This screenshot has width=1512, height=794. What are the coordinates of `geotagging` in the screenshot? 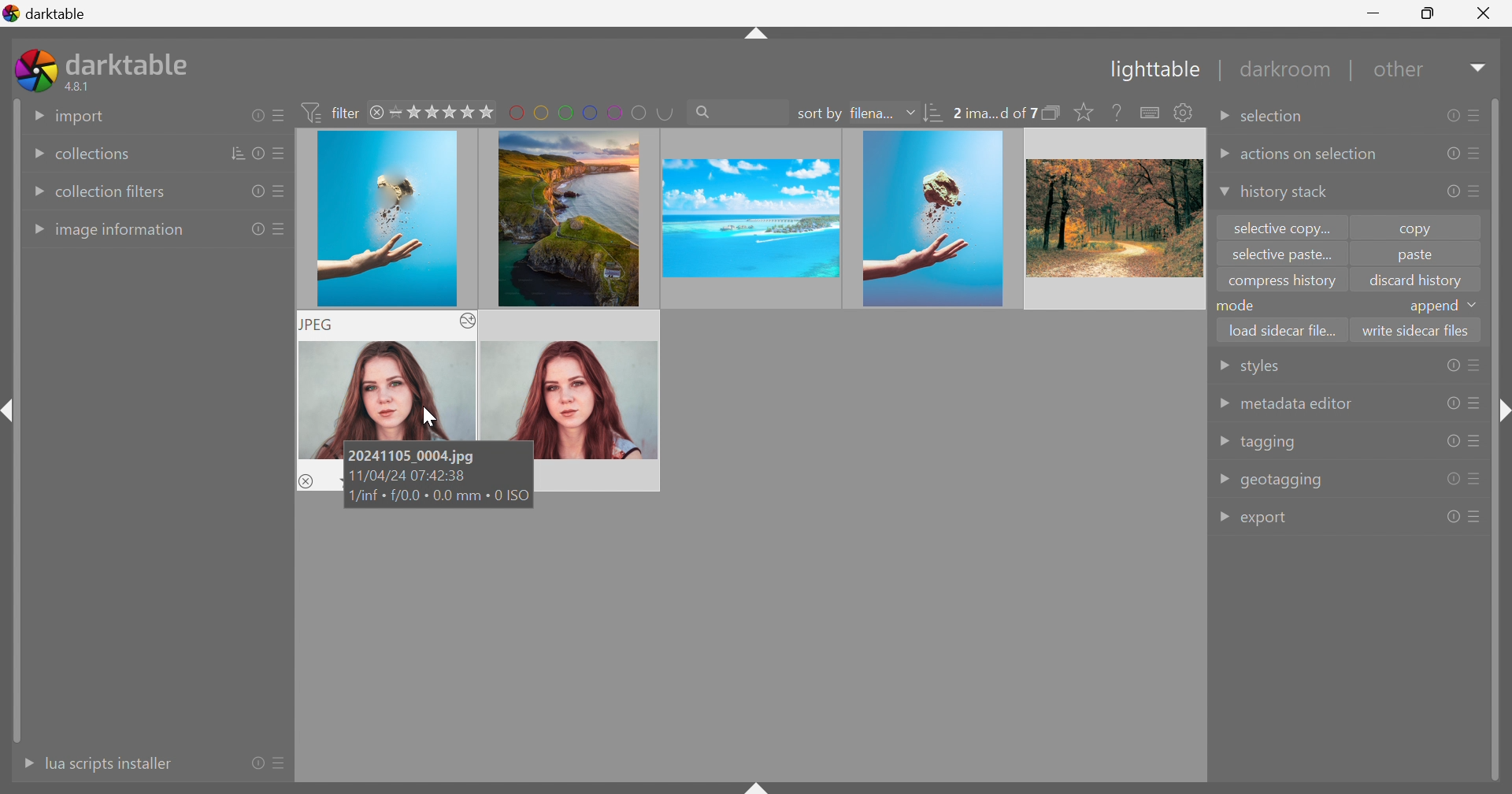 It's located at (1283, 480).